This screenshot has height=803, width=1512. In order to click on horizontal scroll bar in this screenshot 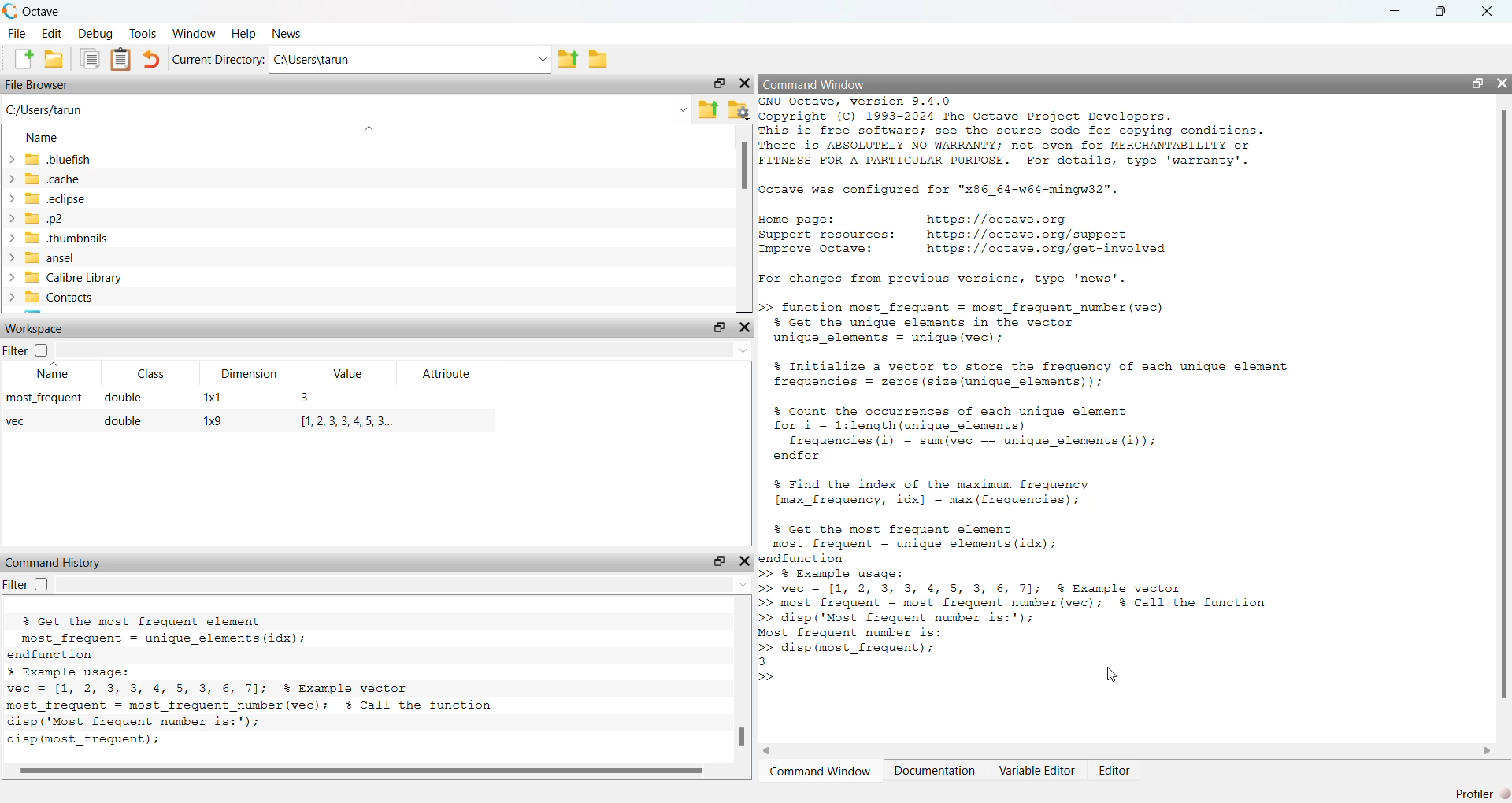, I will do `click(1127, 751)`.